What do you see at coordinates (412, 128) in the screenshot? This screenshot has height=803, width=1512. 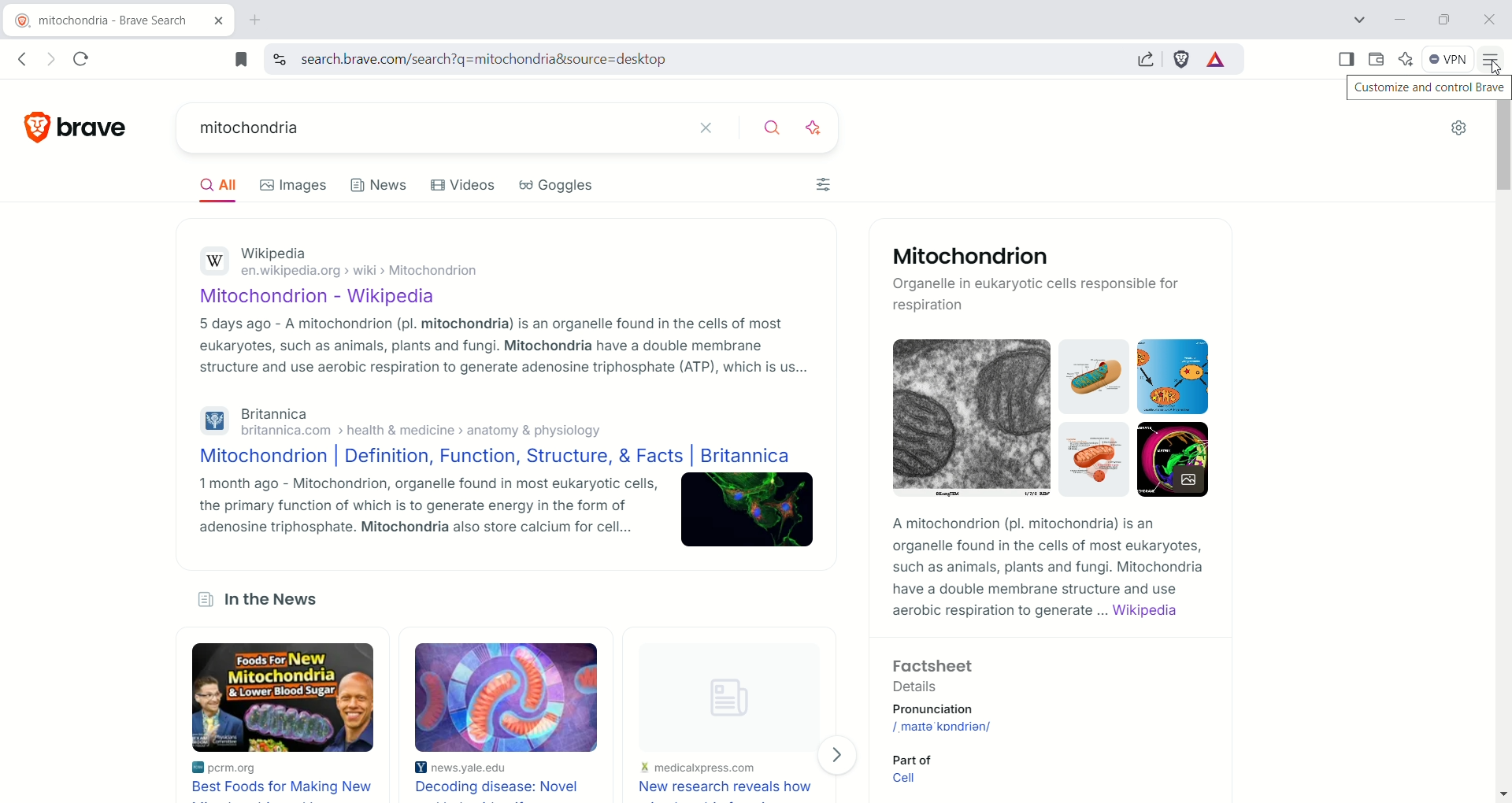 I see `mitochondria` at bounding box center [412, 128].